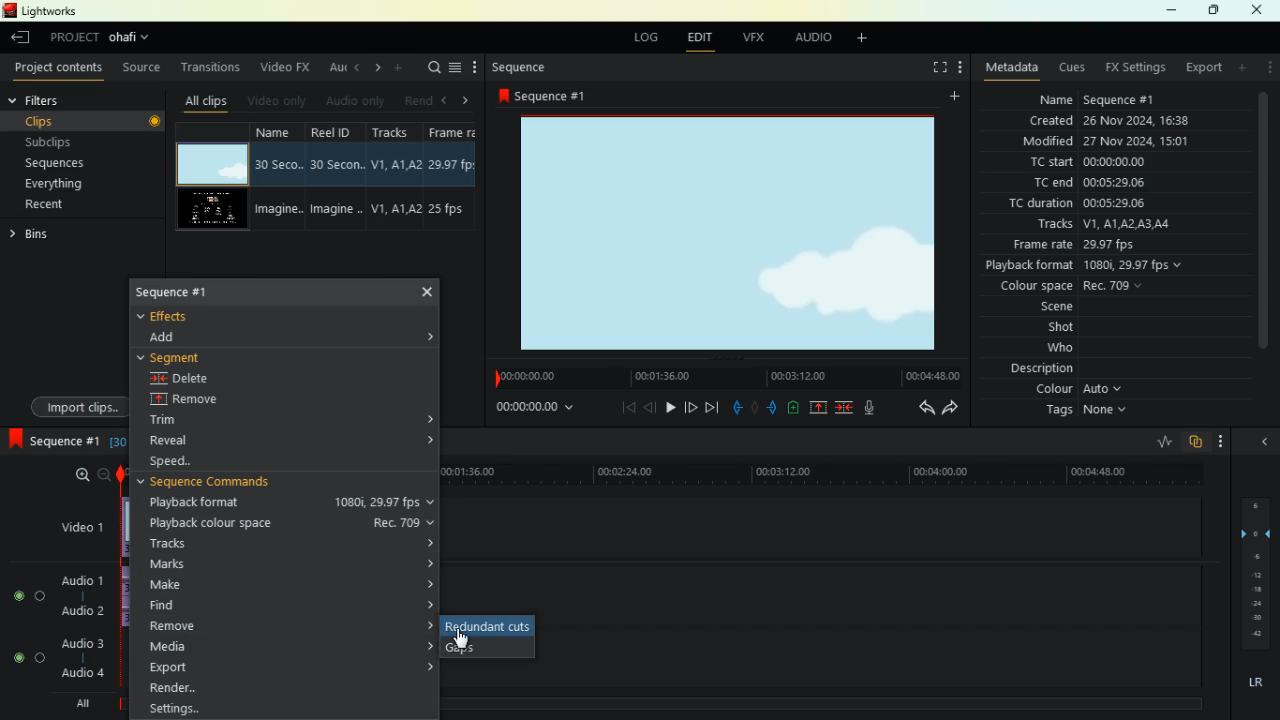  What do you see at coordinates (183, 293) in the screenshot?
I see `sequence` at bounding box center [183, 293].